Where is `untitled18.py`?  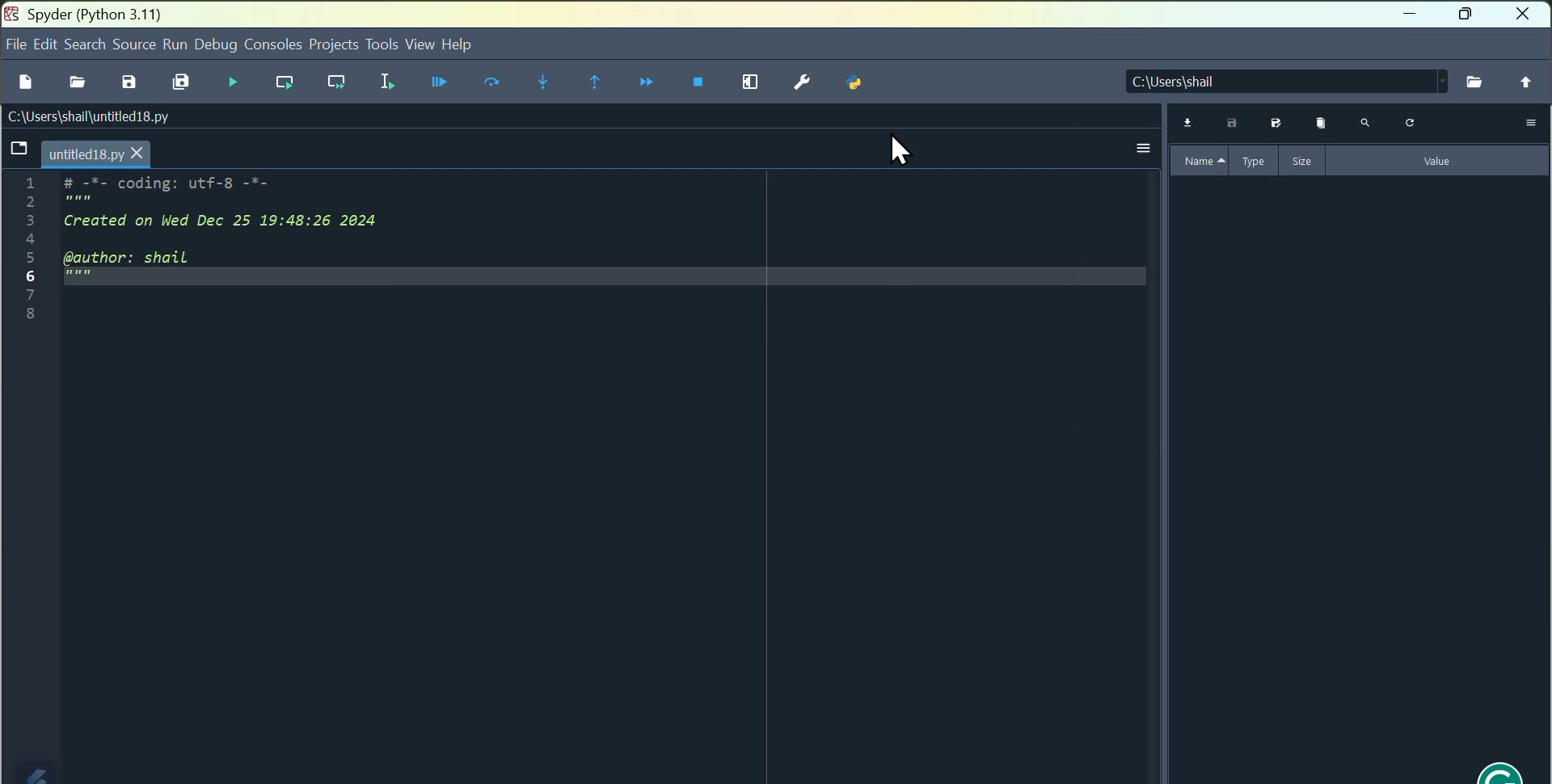 untitled18.py is located at coordinates (96, 152).